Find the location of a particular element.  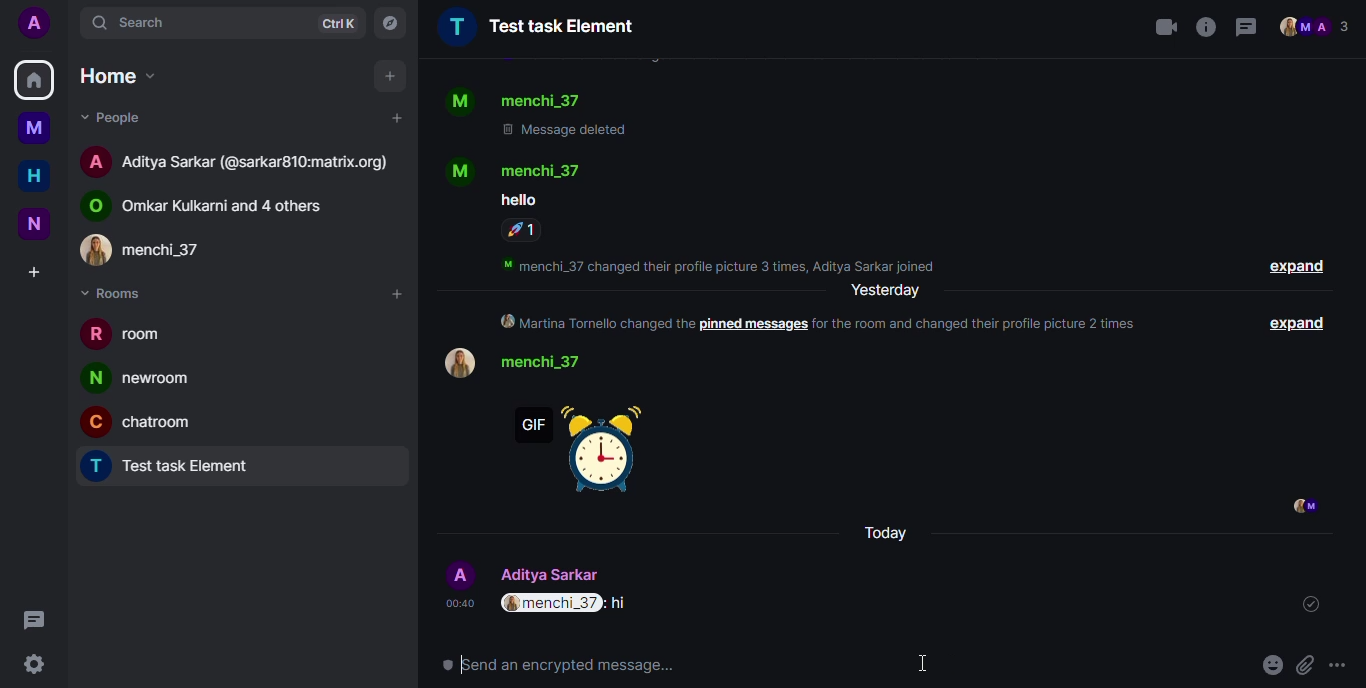

attach is located at coordinates (1307, 664).